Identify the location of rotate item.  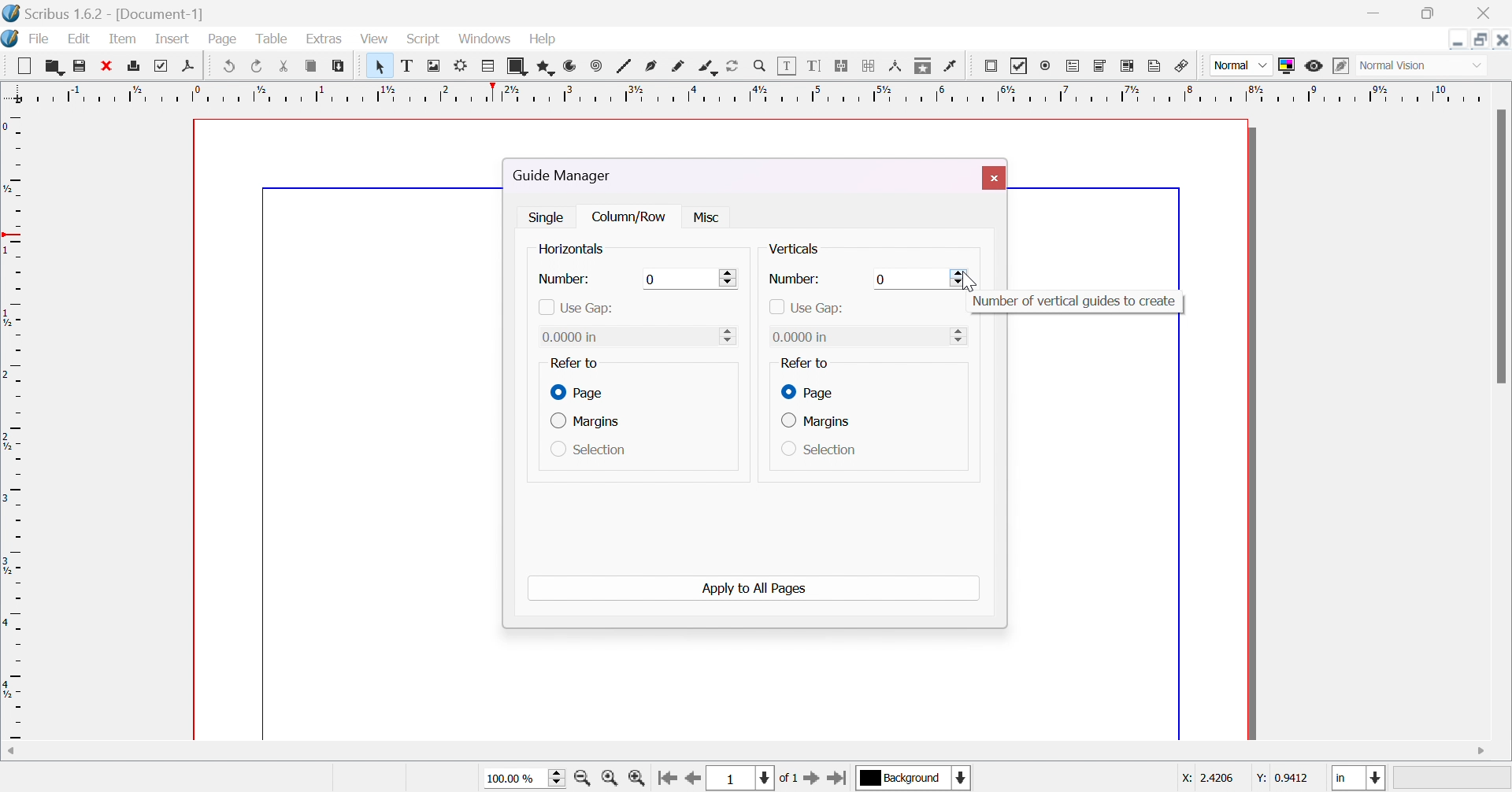
(732, 67).